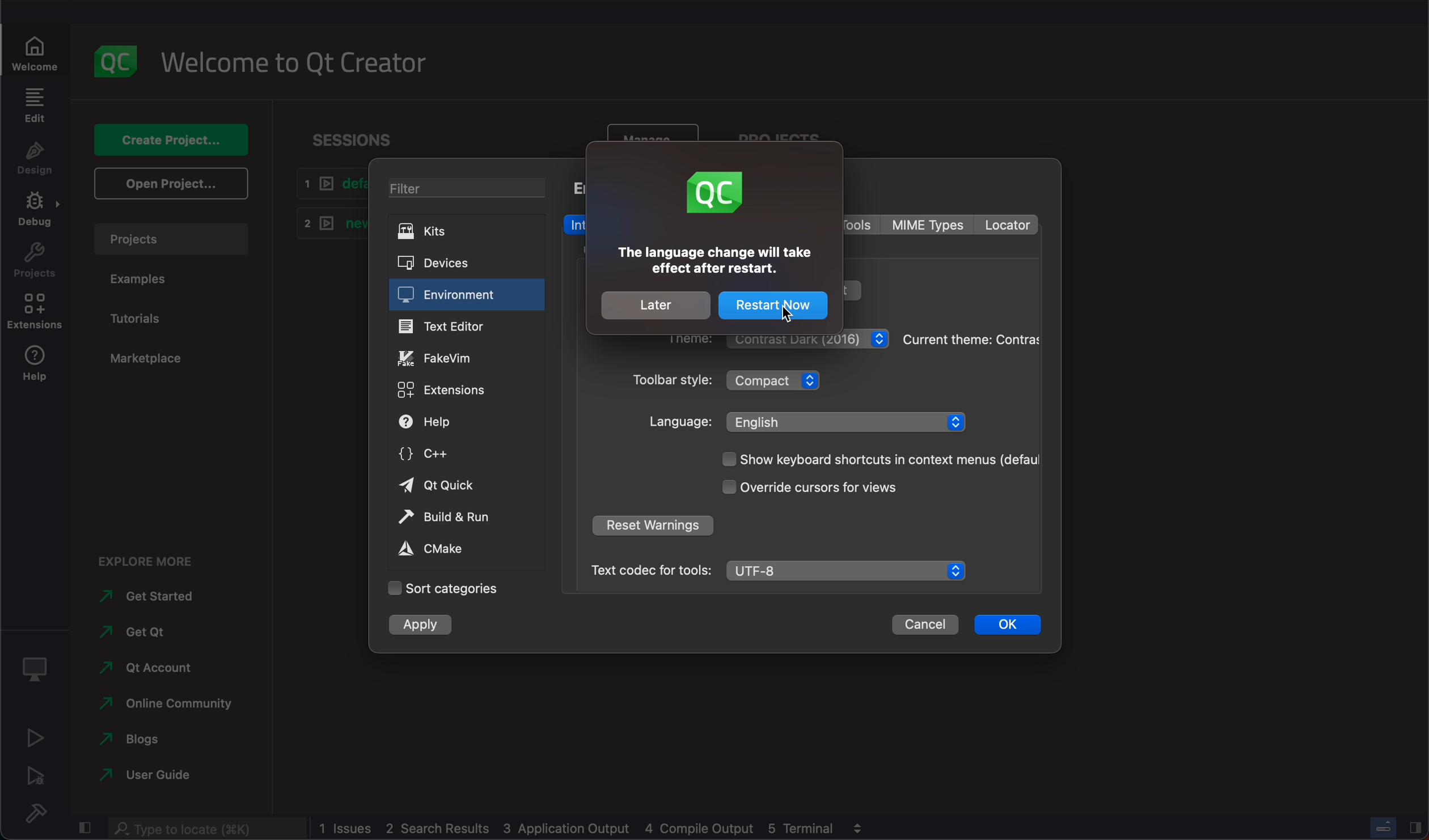  I want to click on debug, so click(36, 211).